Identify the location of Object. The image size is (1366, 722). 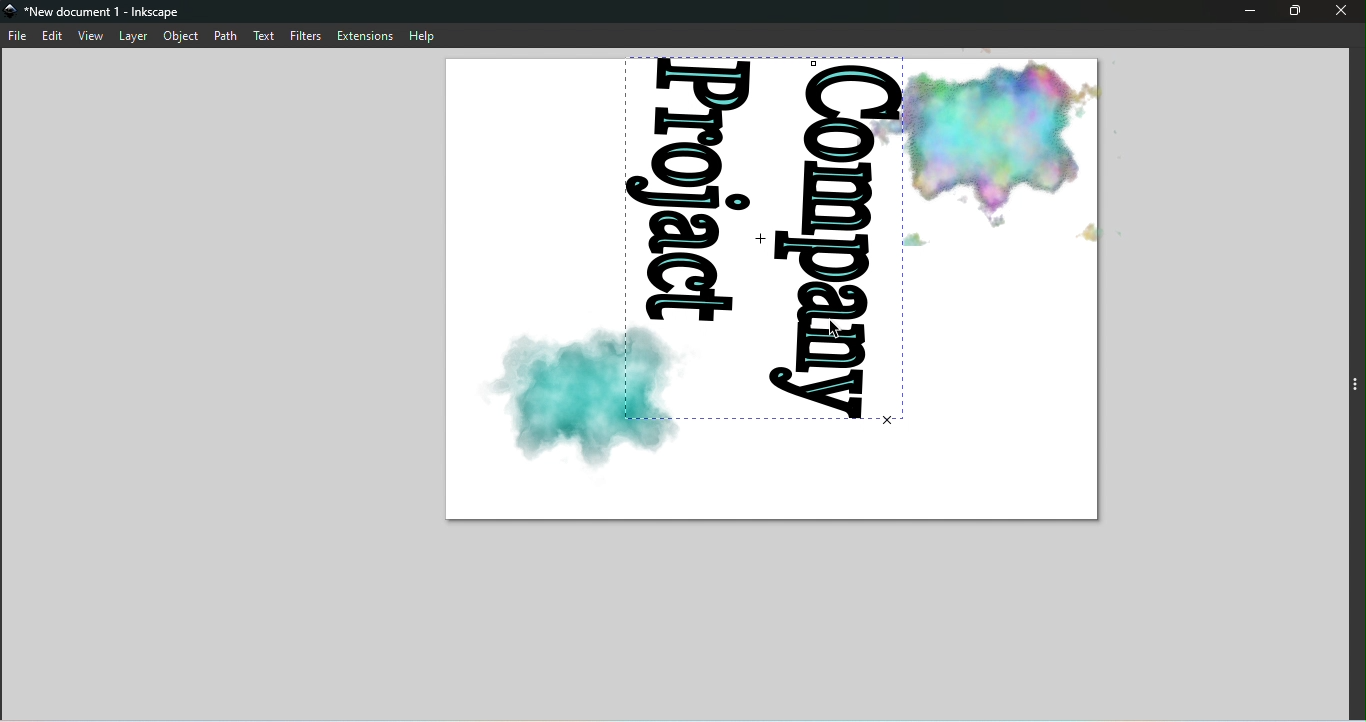
(180, 37).